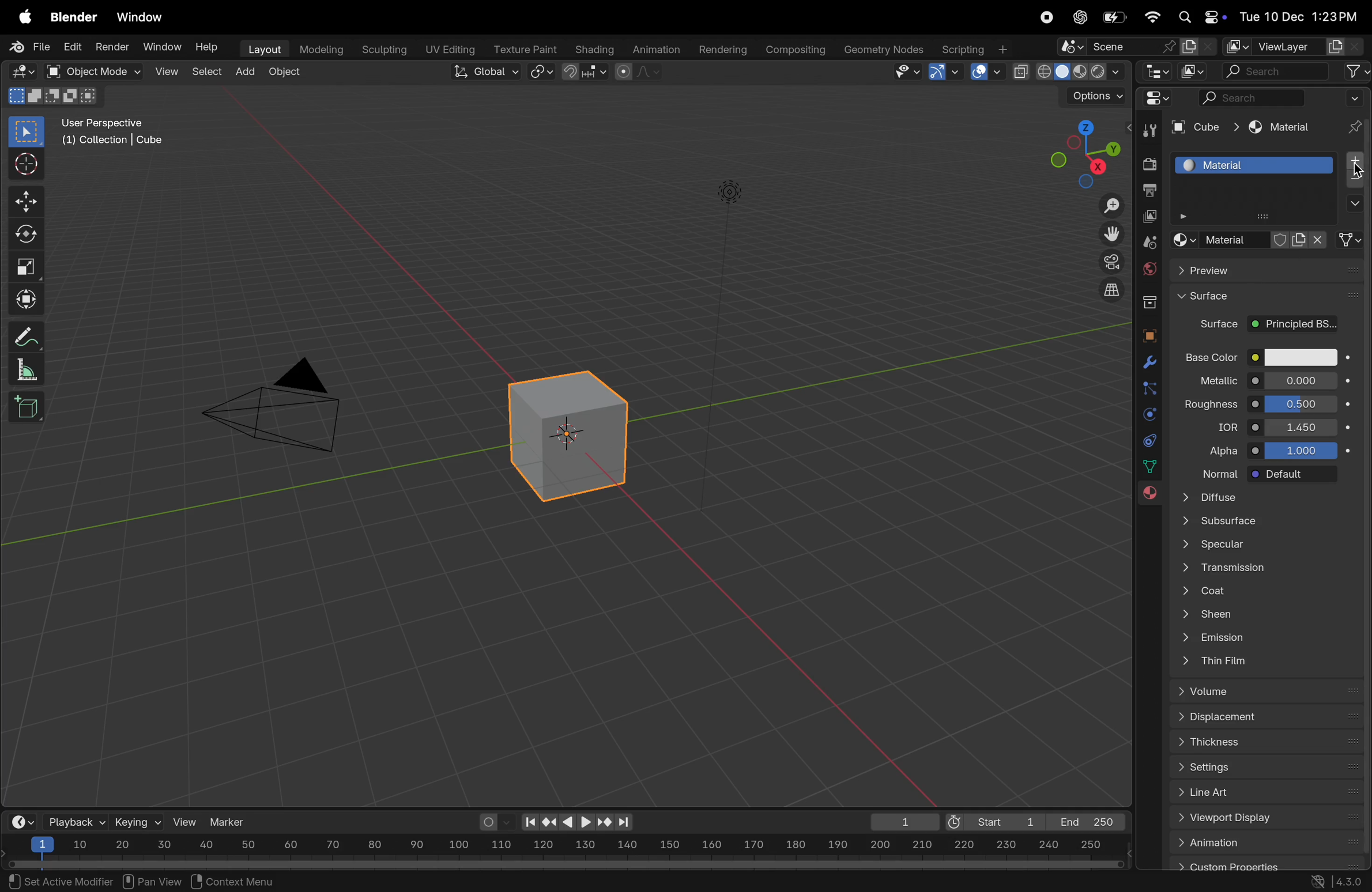 Image resolution: width=1372 pixels, height=892 pixels. Describe the element at coordinates (1228, 568) in the screenshot. I see `transmission` at that location.